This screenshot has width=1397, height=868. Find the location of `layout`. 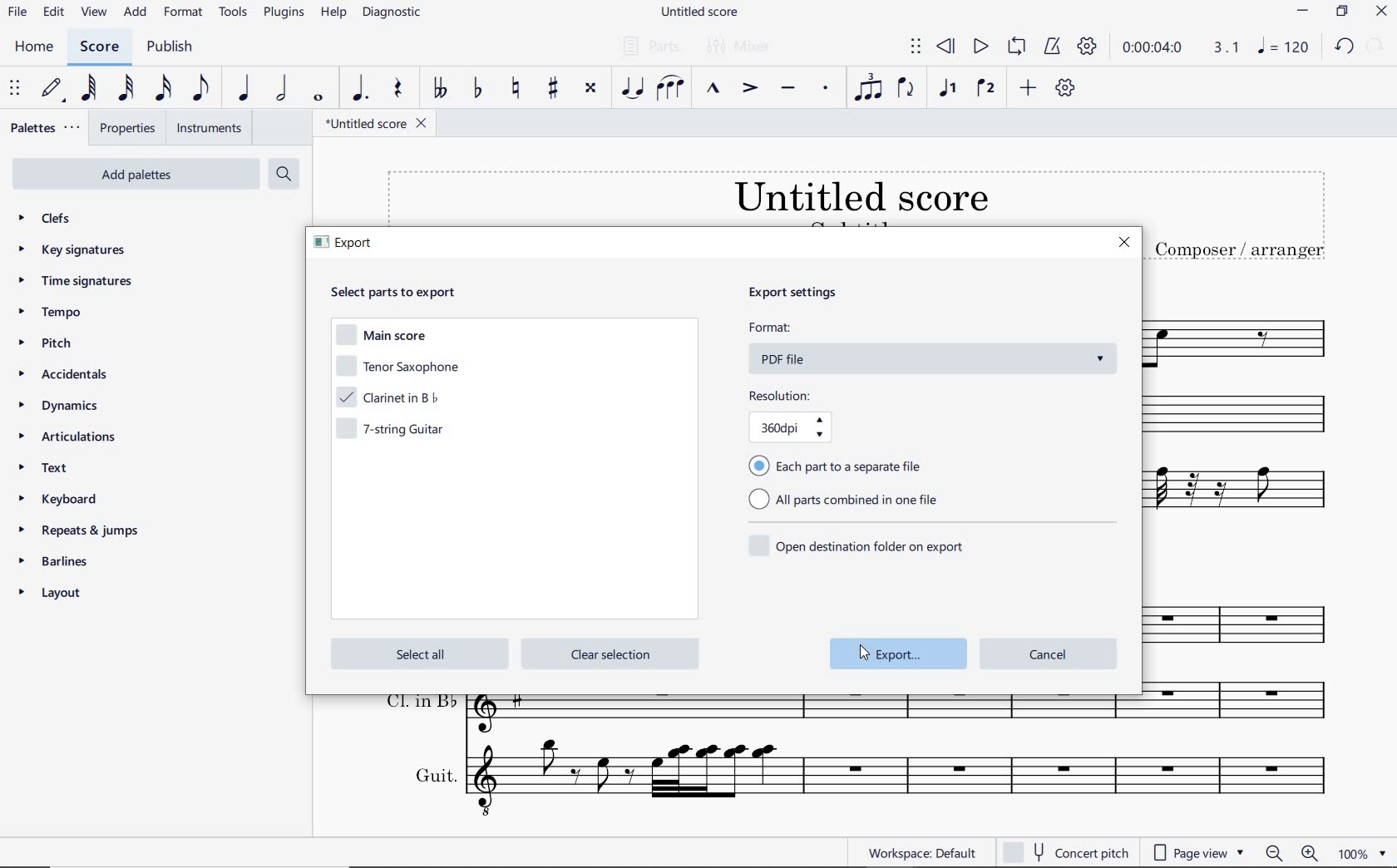

layout is located at coordinates (55, 594).